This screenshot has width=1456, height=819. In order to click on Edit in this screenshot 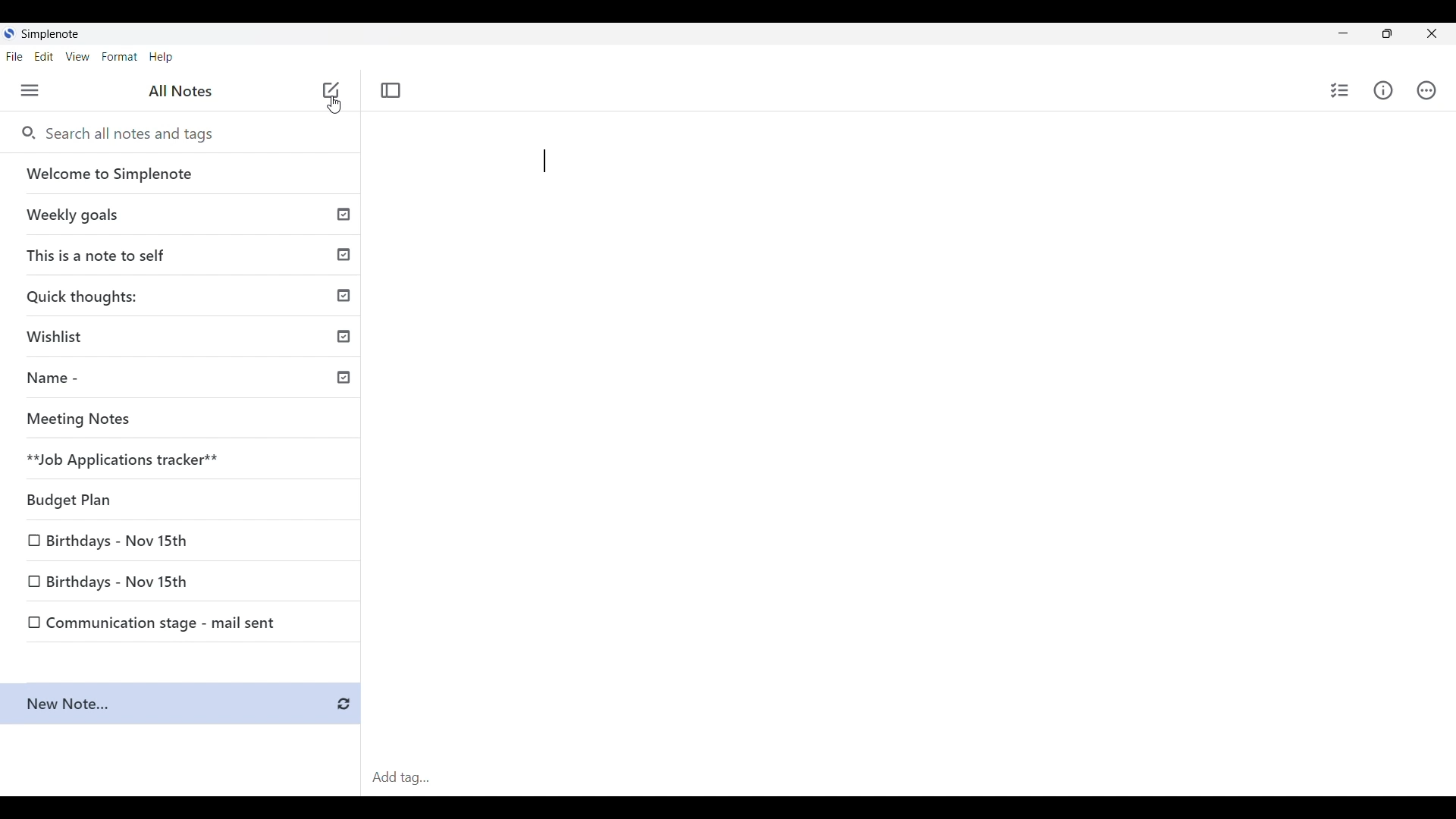, I will do `click(44, 57)`.